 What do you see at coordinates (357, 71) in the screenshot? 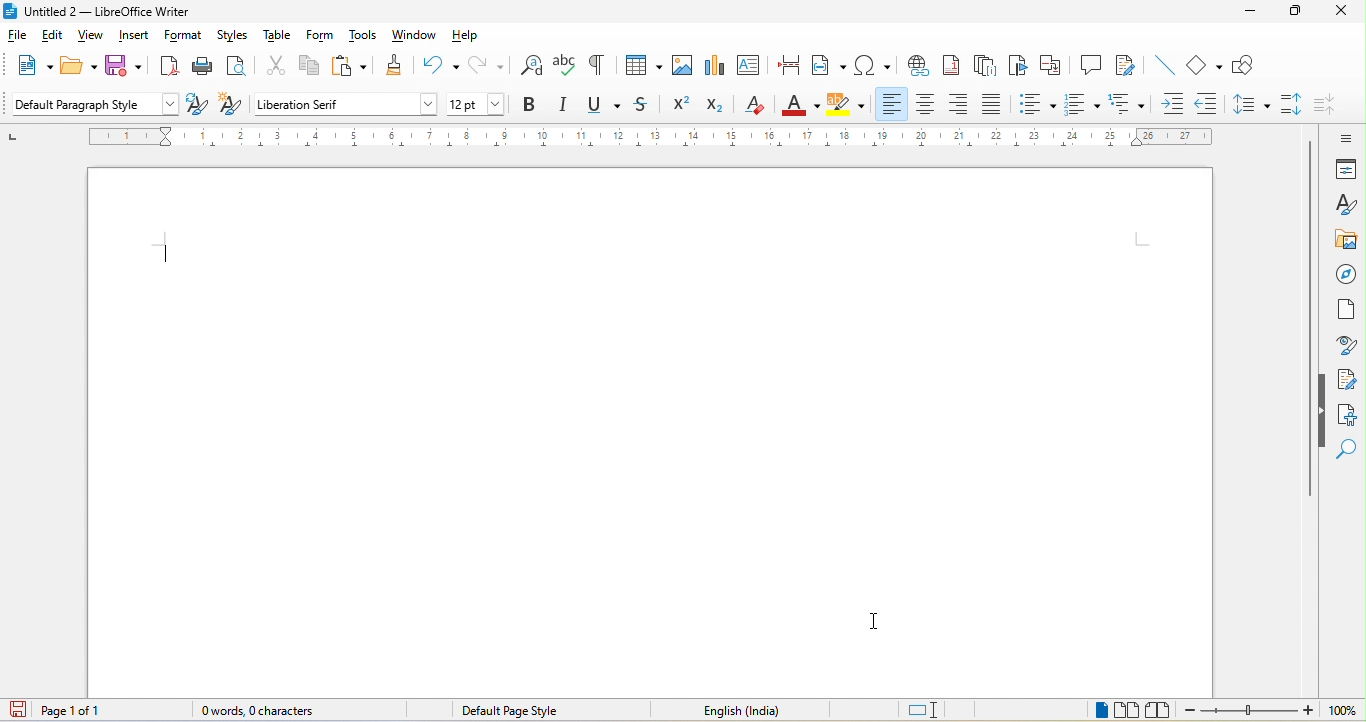
I see `paste` at bounding box center [357, 71].